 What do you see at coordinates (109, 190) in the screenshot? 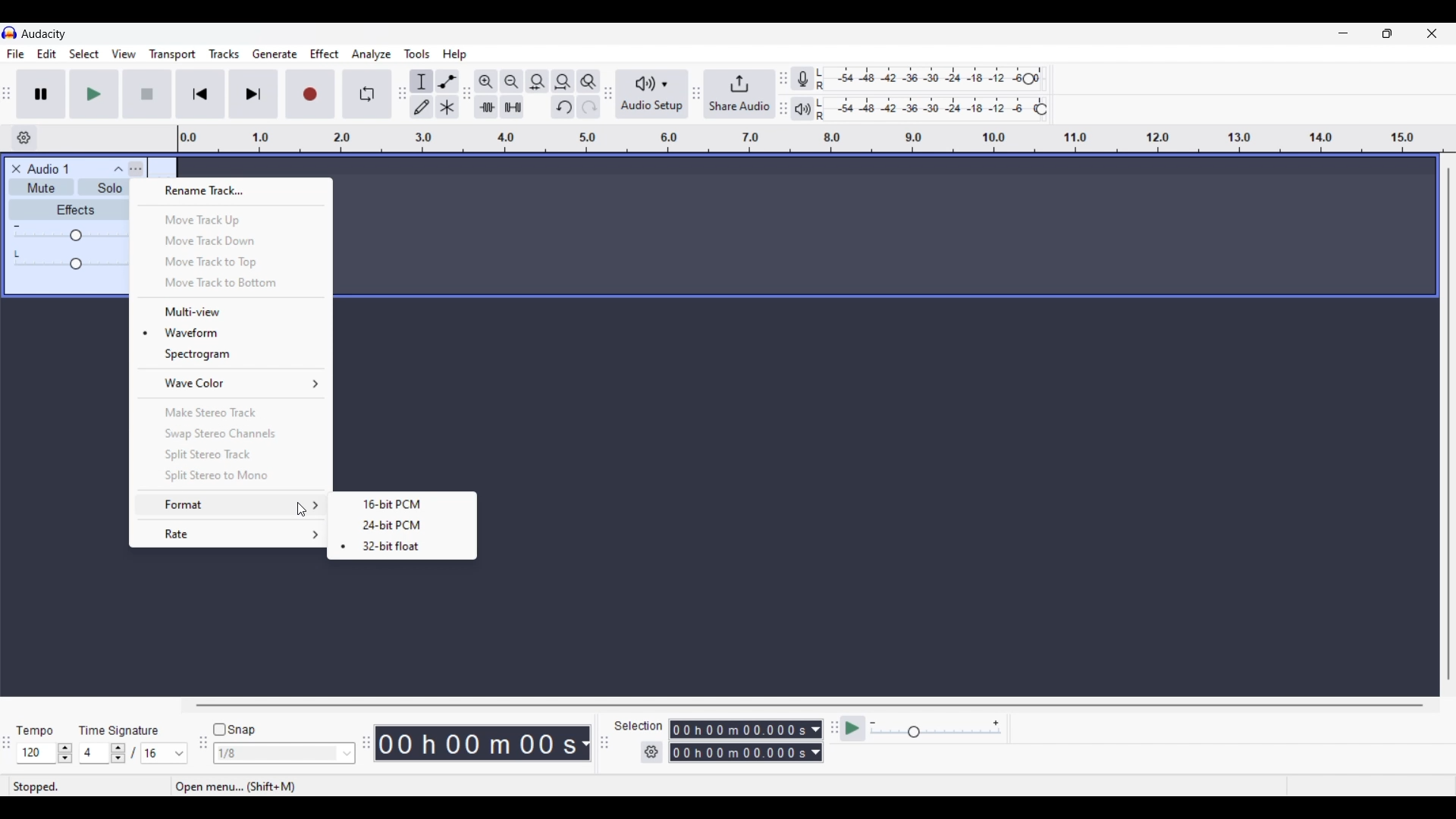
I see `Solo` at bounding box center [109, 190].